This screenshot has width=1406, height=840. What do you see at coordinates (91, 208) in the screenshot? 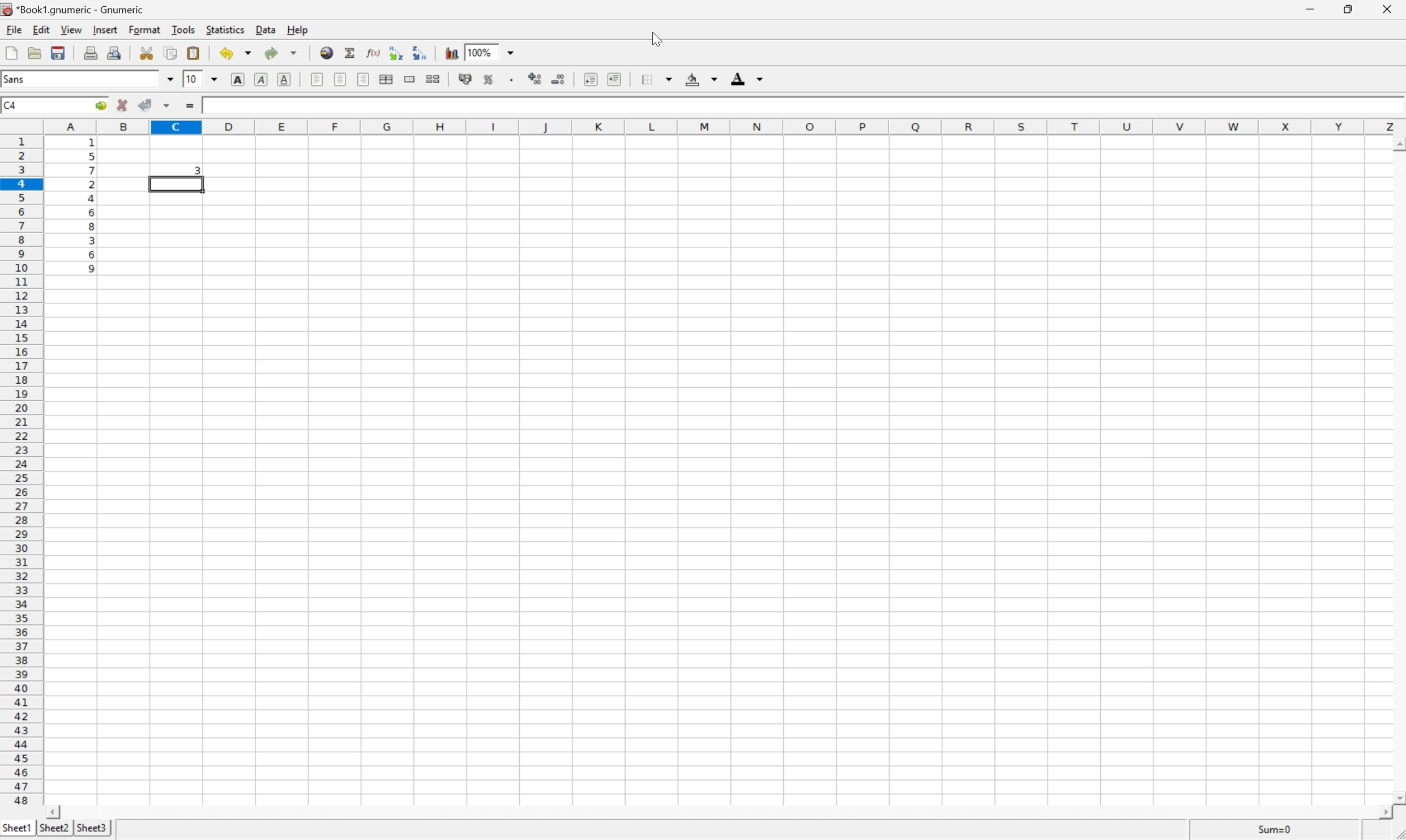
I see `random numbers` at bounding box center [91, 208].